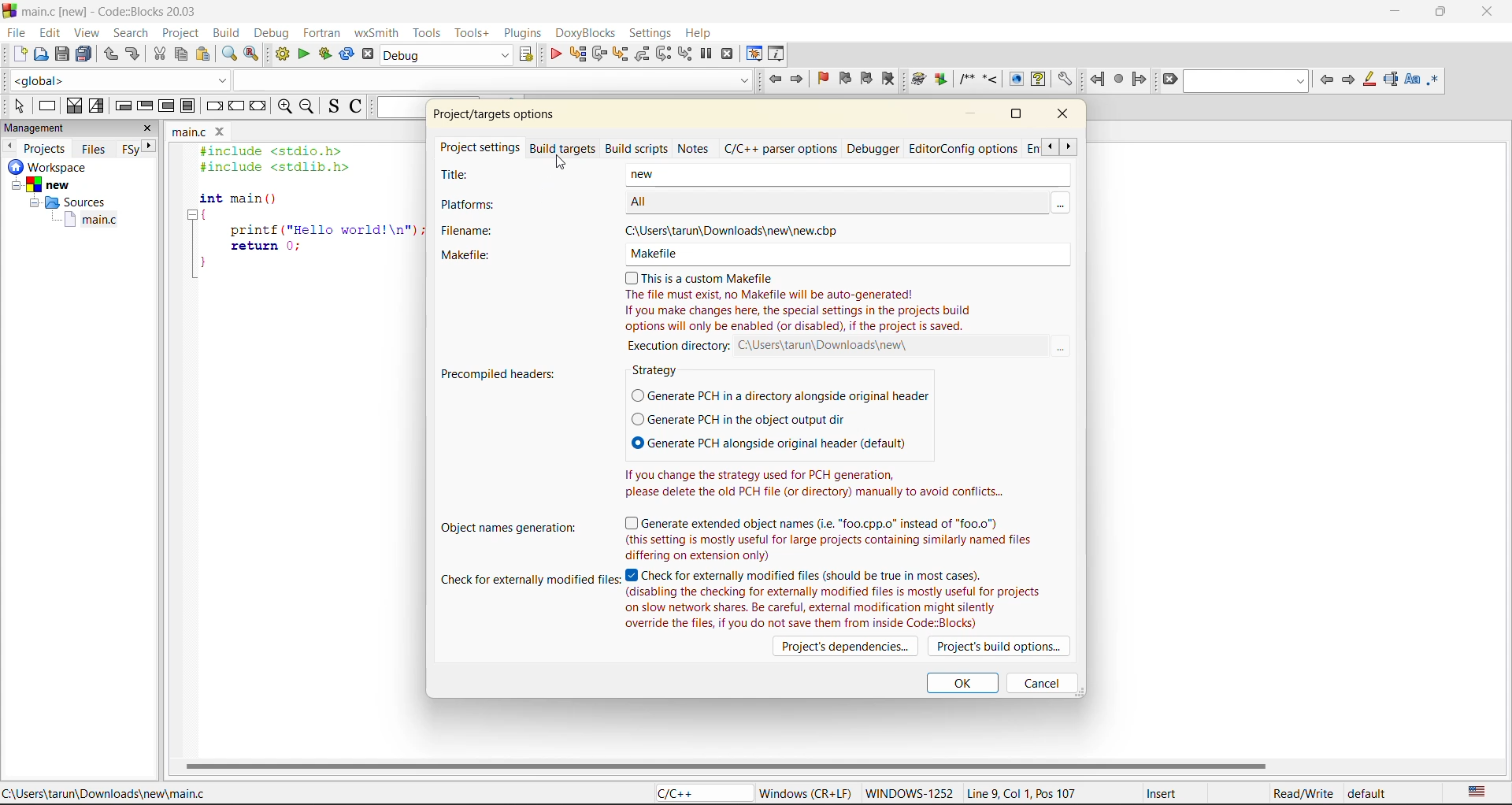  What do you see at coordinates (1064, 114) in the screenshot?
I see `close` at bounding box center [1064, 114].